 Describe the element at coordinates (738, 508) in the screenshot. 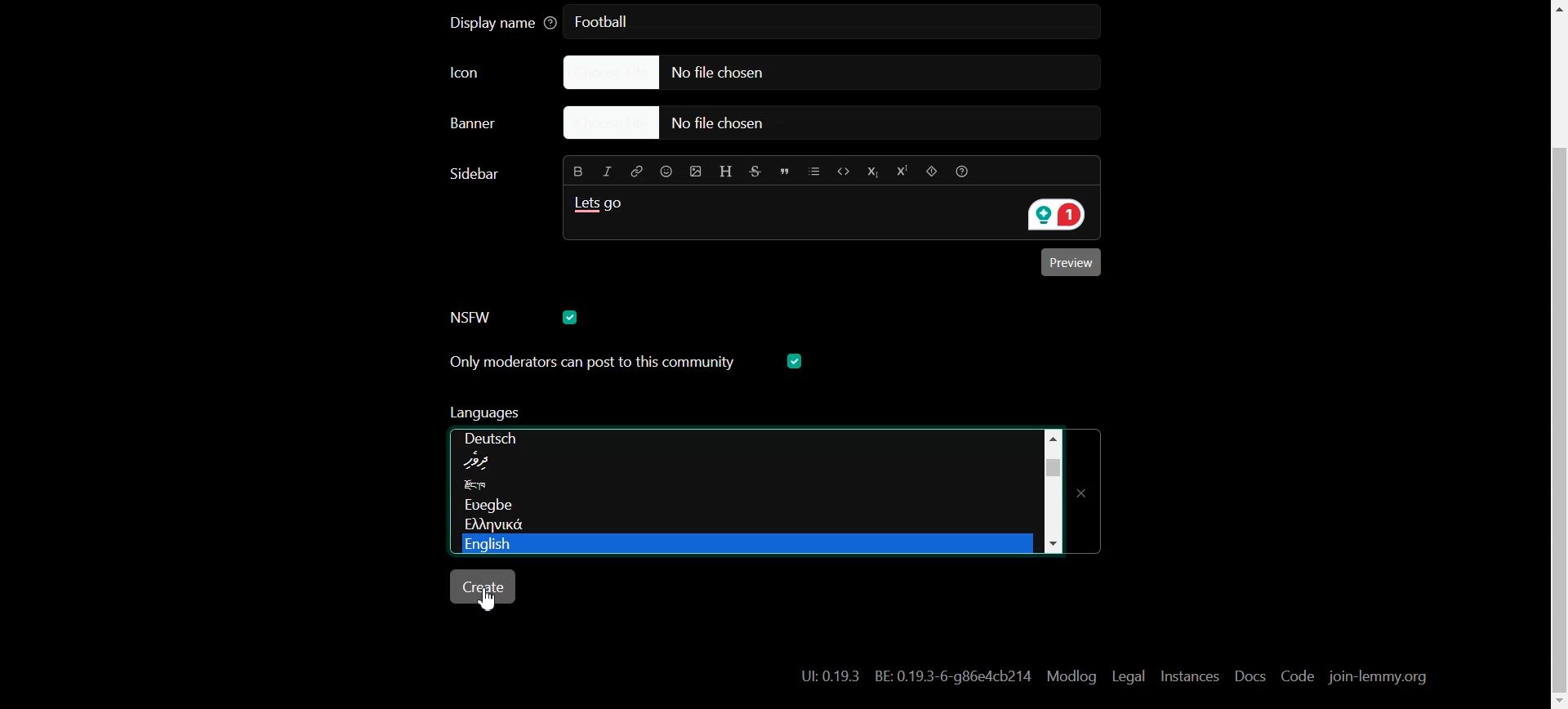

I see `Language` at that location.